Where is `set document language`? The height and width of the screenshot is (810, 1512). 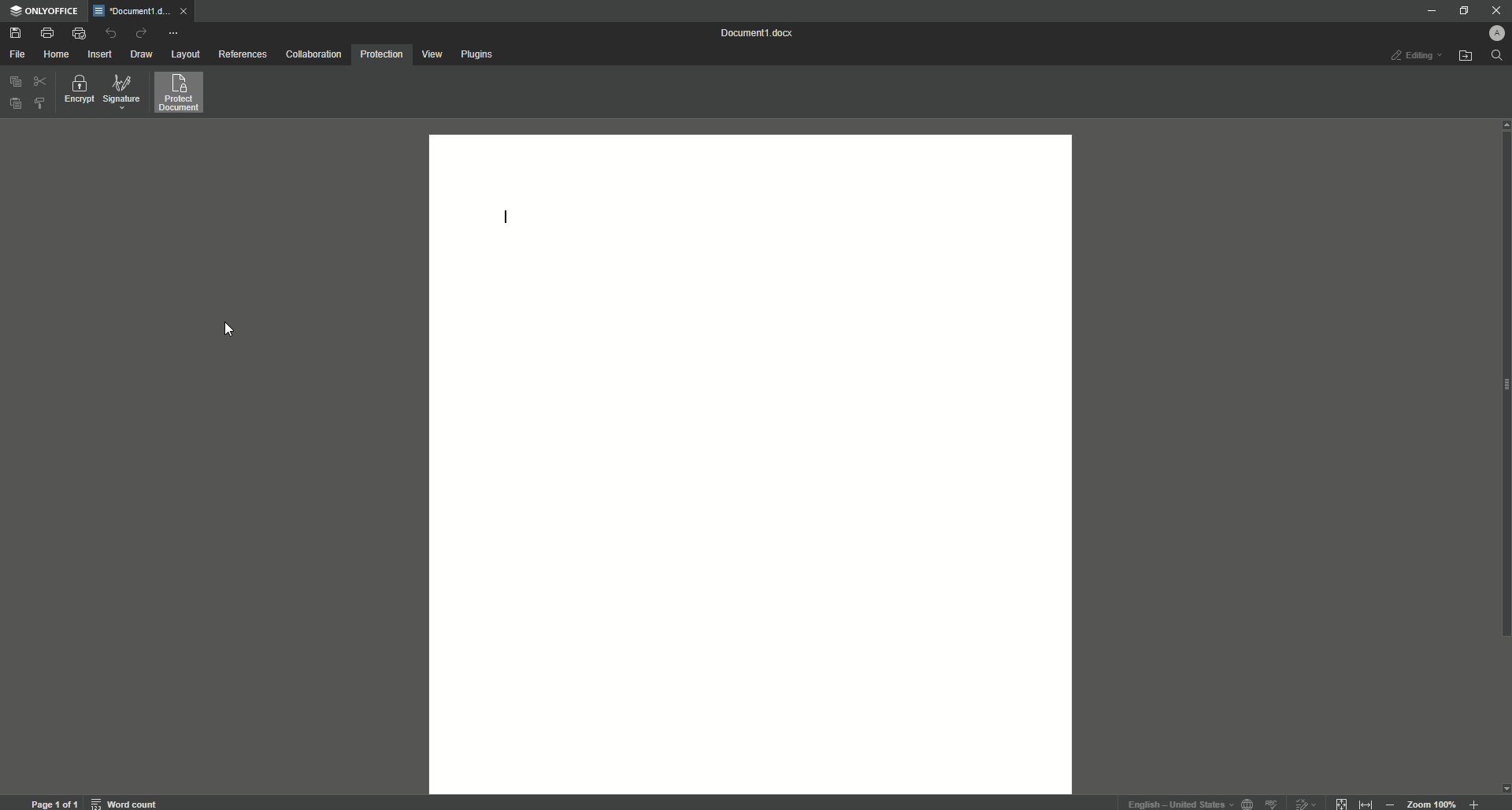
set document language is located at coordinates (1249, 803).